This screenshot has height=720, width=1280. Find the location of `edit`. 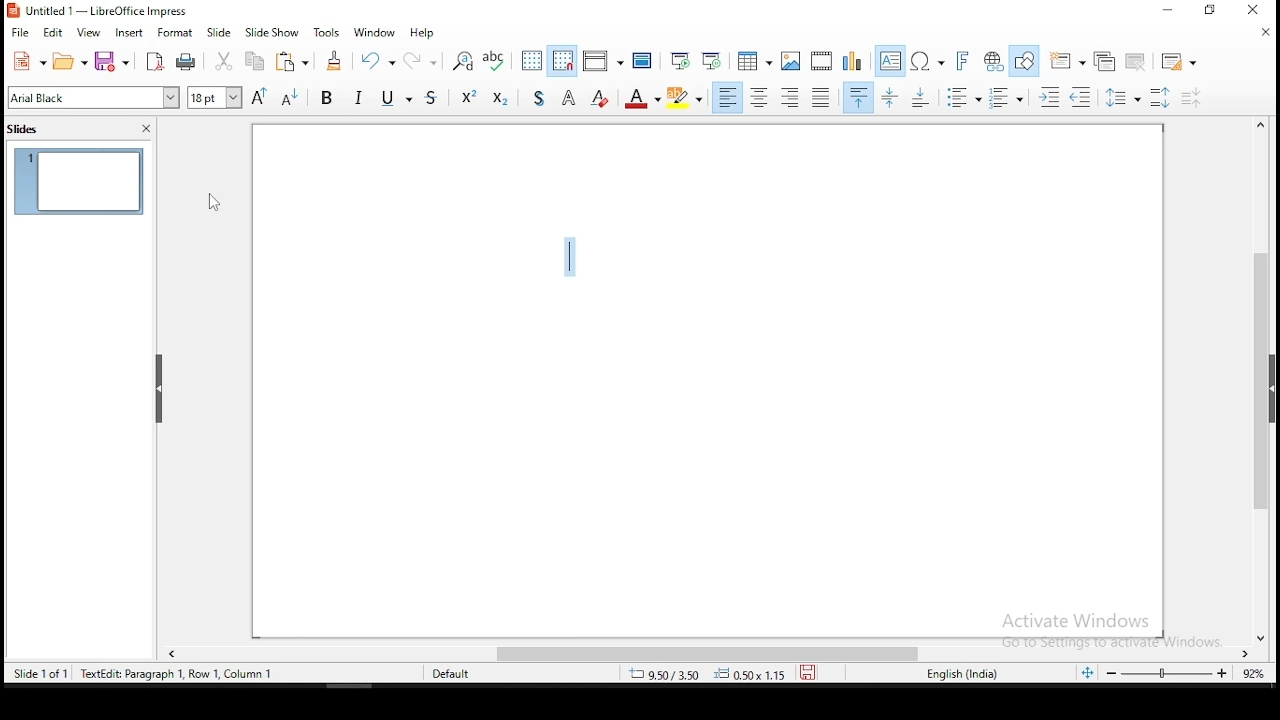

edit is located at coordinates (51, 33).